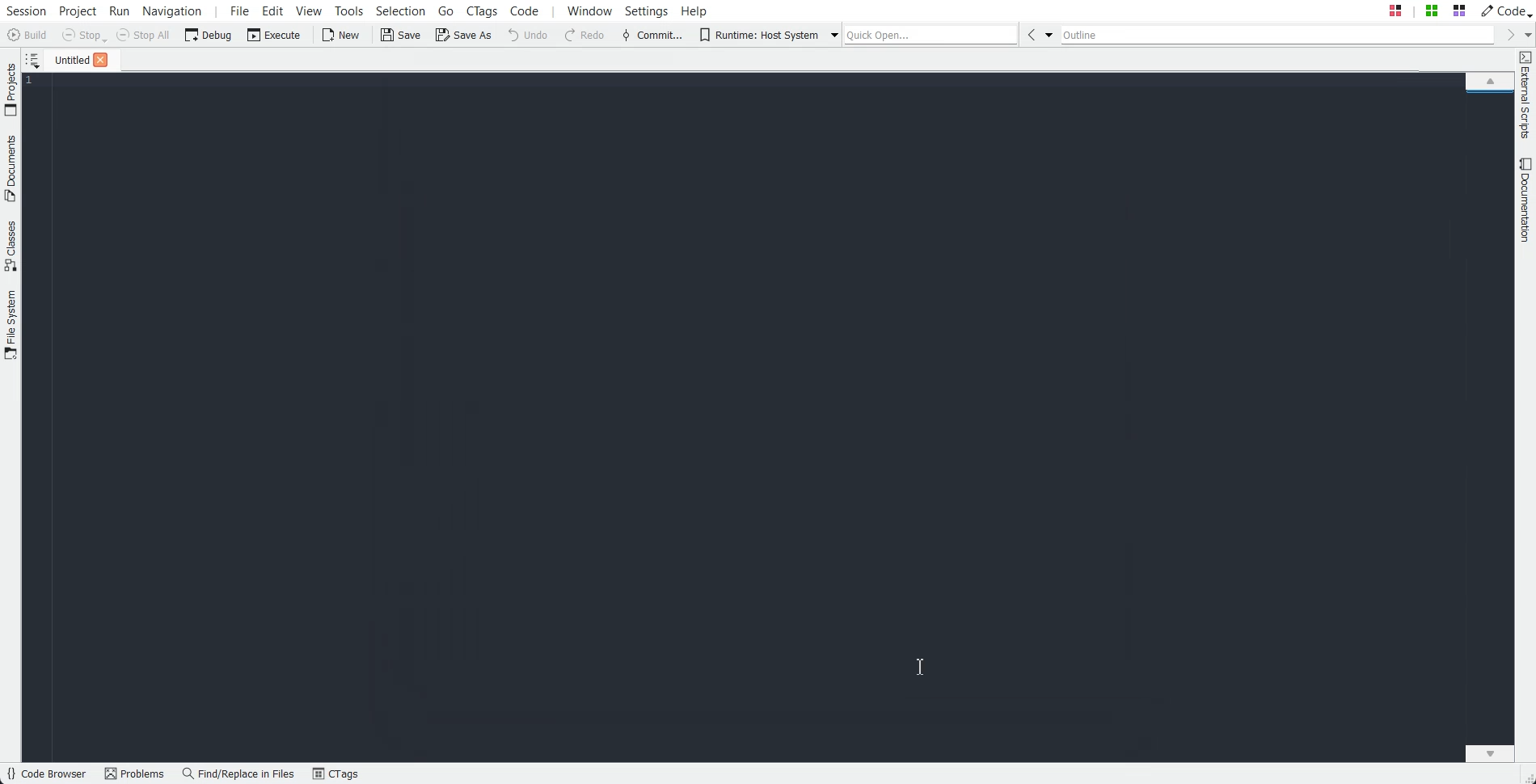 The height and width of the screenshot is (784, 1536). Describe the element at coordinates (448, 10) in the screenshot. I see `Go` at that location.